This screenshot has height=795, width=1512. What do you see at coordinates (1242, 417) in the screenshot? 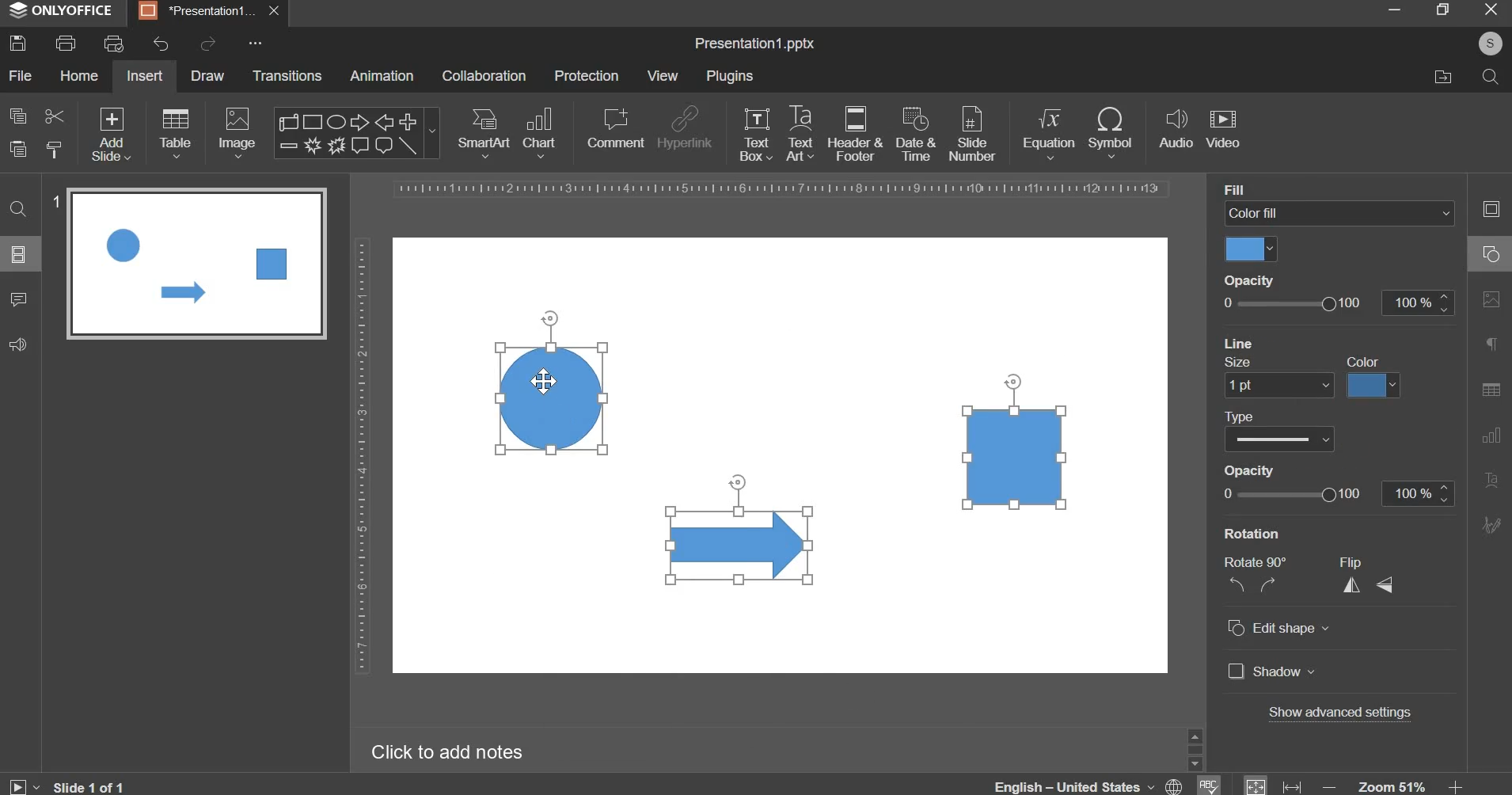
I see `type` at bounding box center [1242, 417].